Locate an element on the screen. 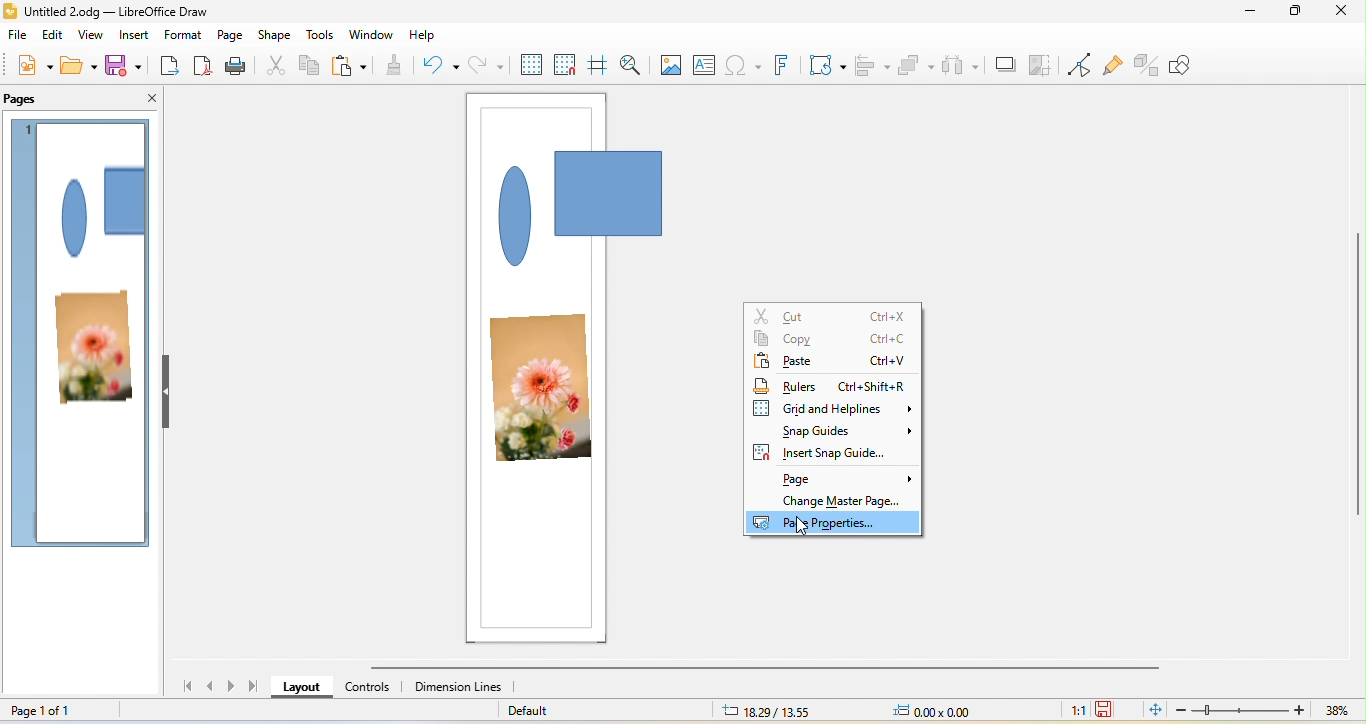  page properties is located at coordinates (835, 523).